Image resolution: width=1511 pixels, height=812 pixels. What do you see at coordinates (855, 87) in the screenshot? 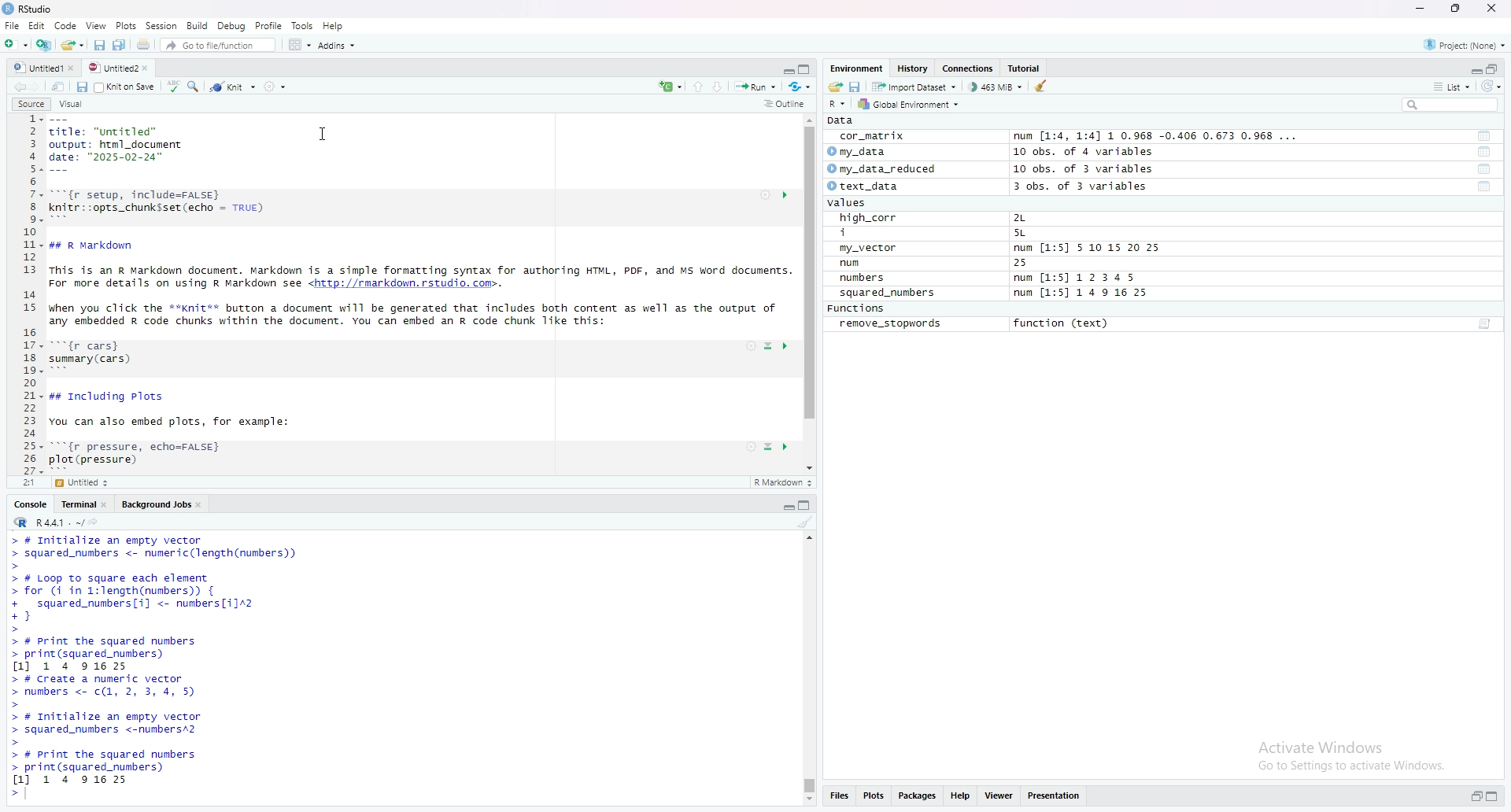
I see `Save workspace` at bounding box center [855, 87].